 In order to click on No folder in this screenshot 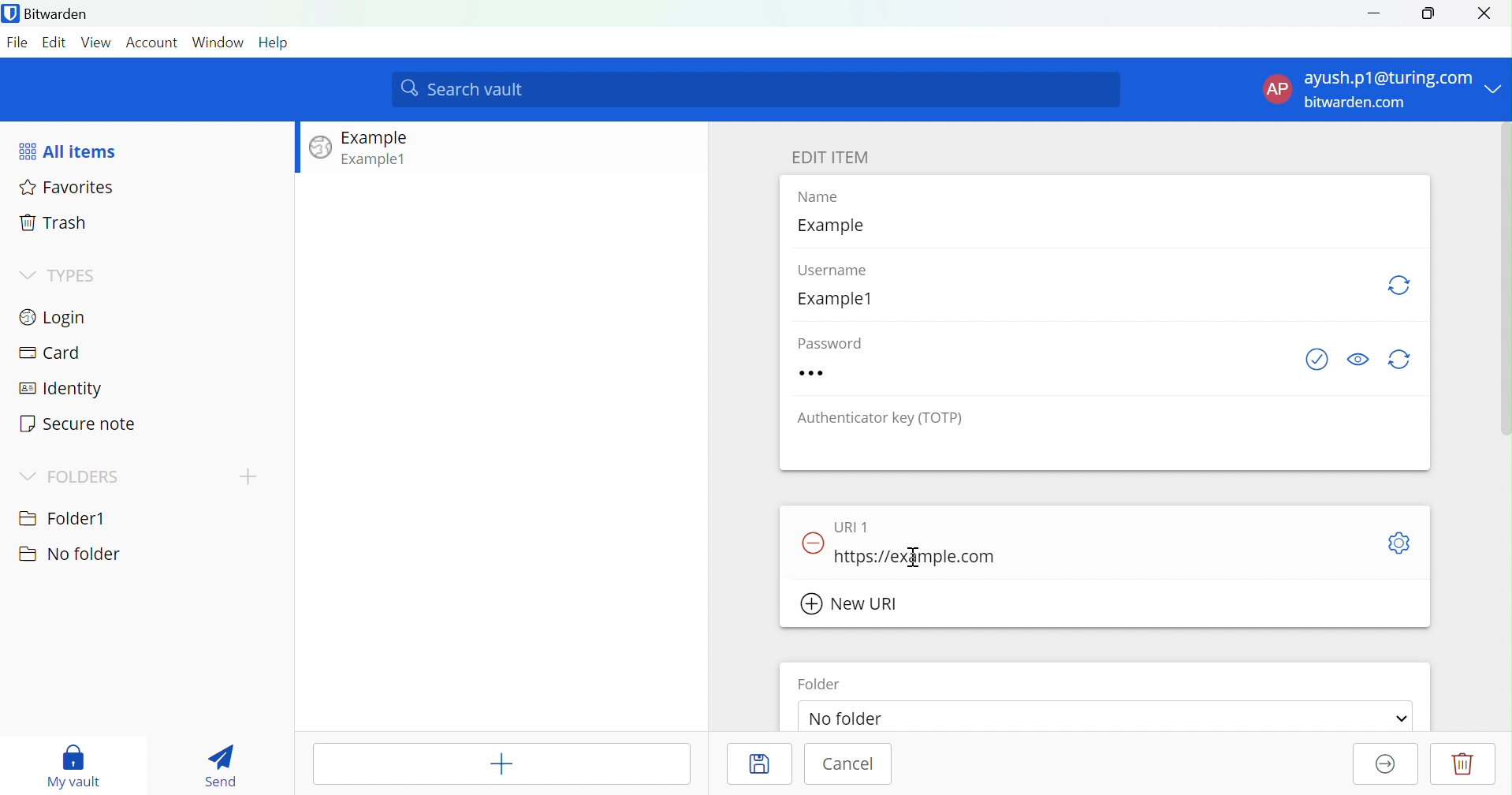, I will do `click(853, 720)`.